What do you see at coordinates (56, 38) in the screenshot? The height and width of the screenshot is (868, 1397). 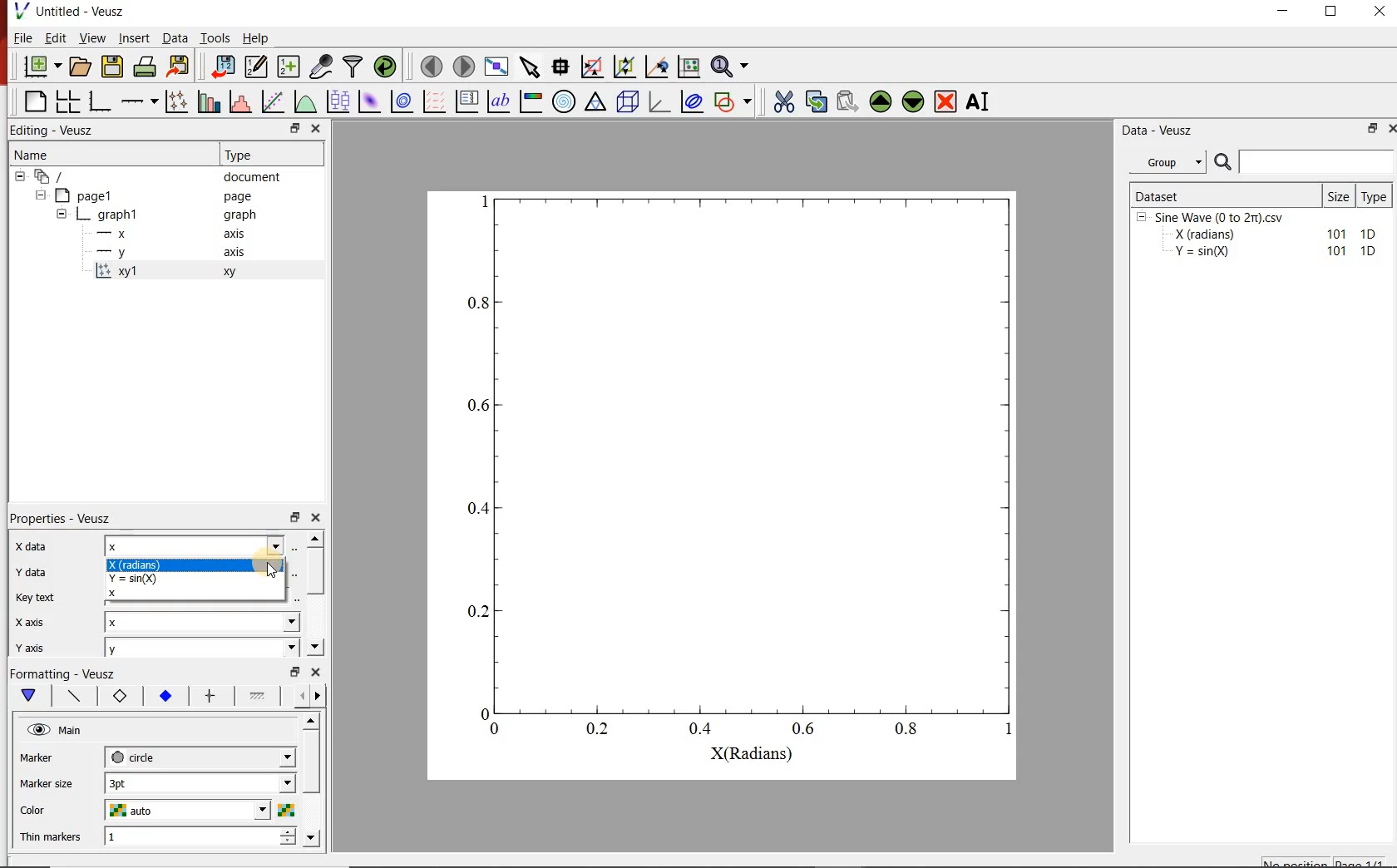 I see `Edit` at bounding box center [56, 38].